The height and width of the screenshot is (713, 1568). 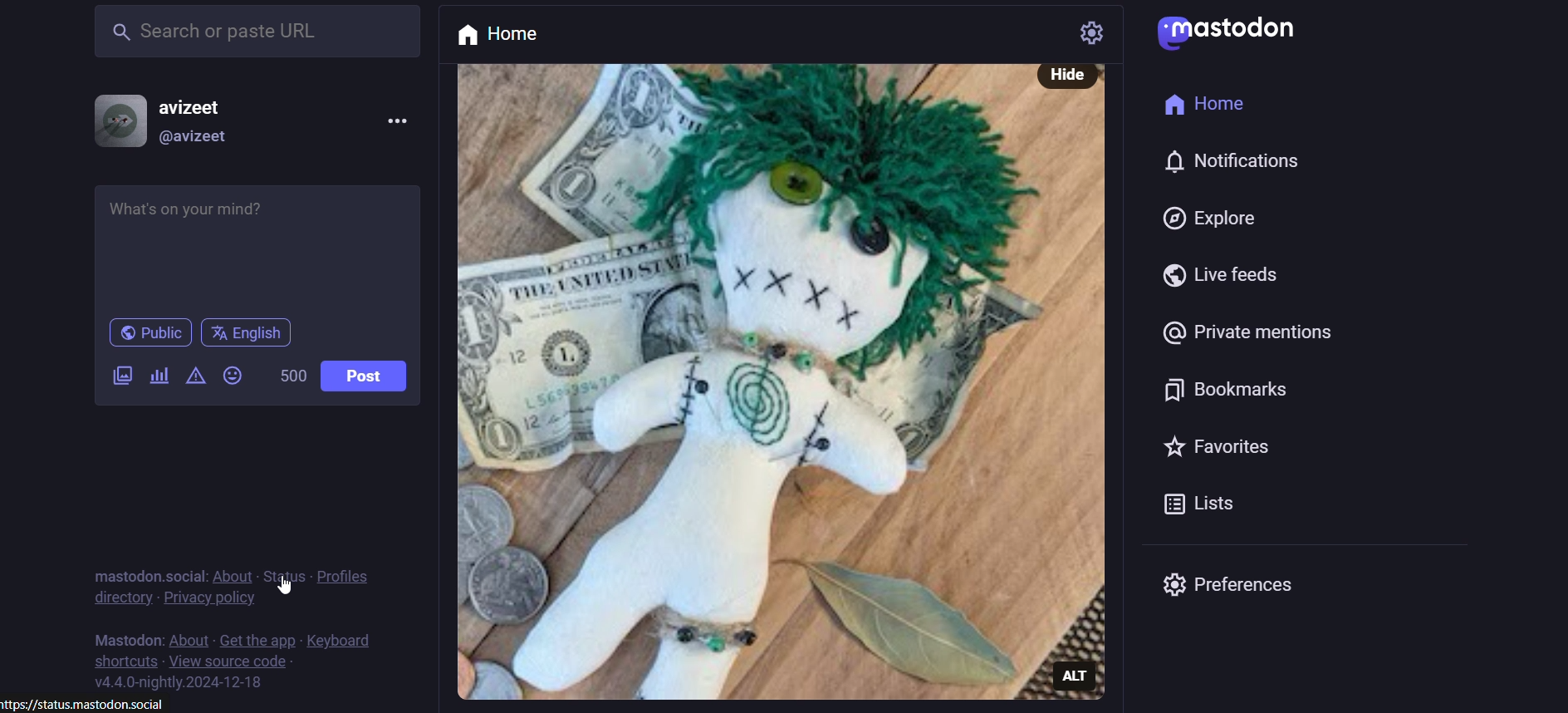 I want to click on content warning, so click(x=194, y=371).